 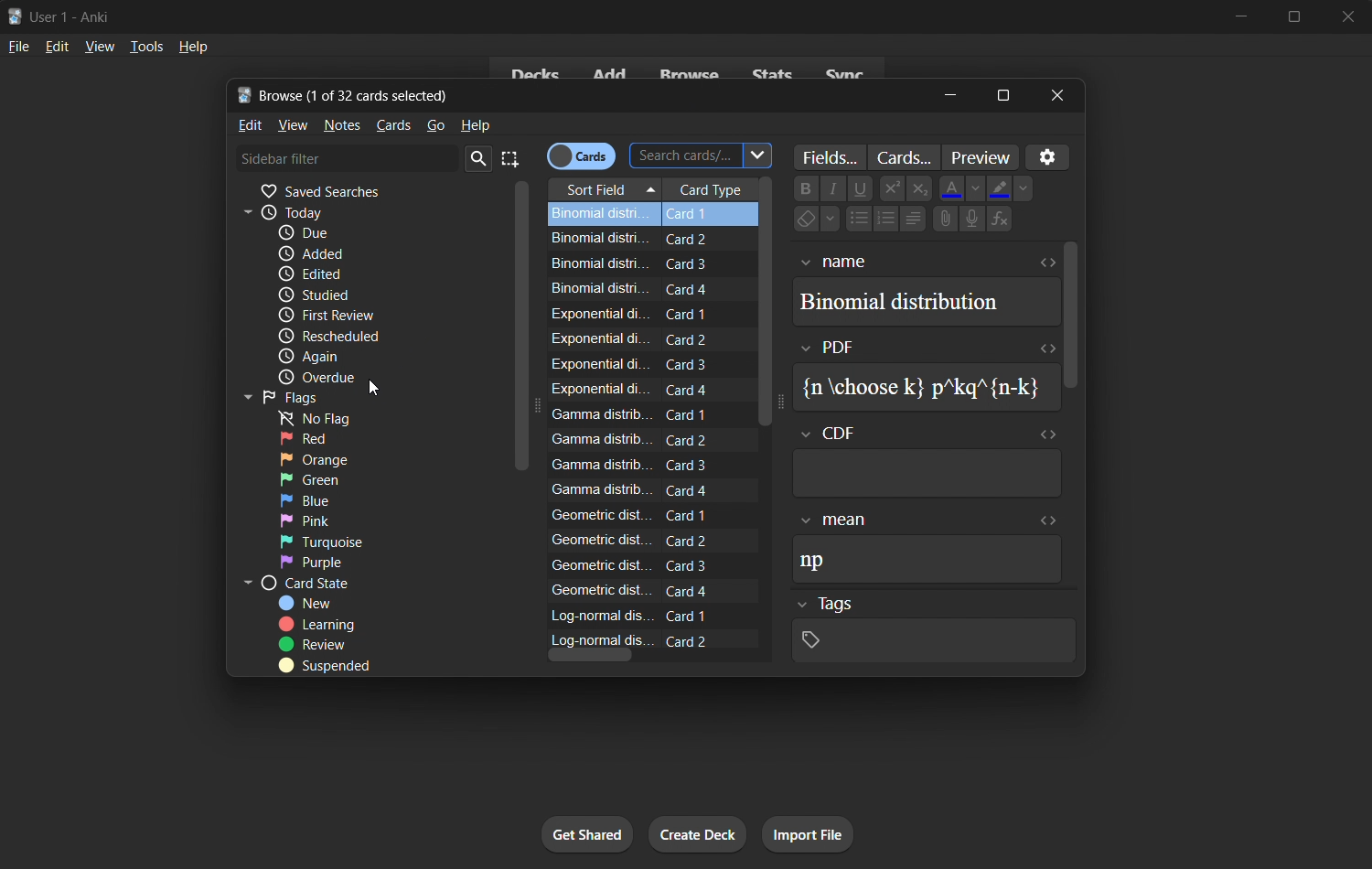 I want to click on Card 3, so click(x=702, y=364).